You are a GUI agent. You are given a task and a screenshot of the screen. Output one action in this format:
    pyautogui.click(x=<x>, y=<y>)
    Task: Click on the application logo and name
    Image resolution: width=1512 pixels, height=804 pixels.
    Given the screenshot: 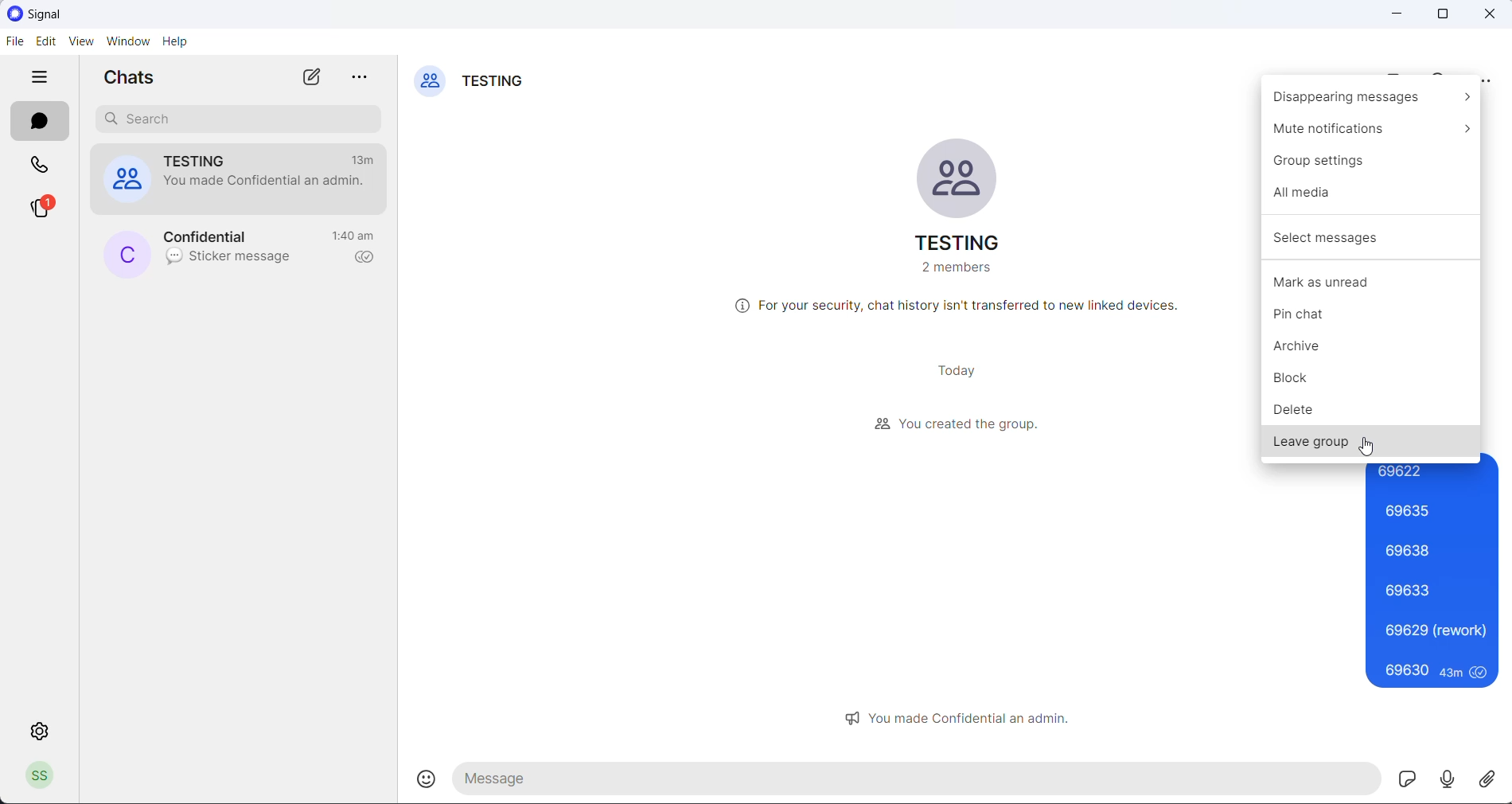 What is the action you would take?
    pyautogui.click(x=64, y=14)
    